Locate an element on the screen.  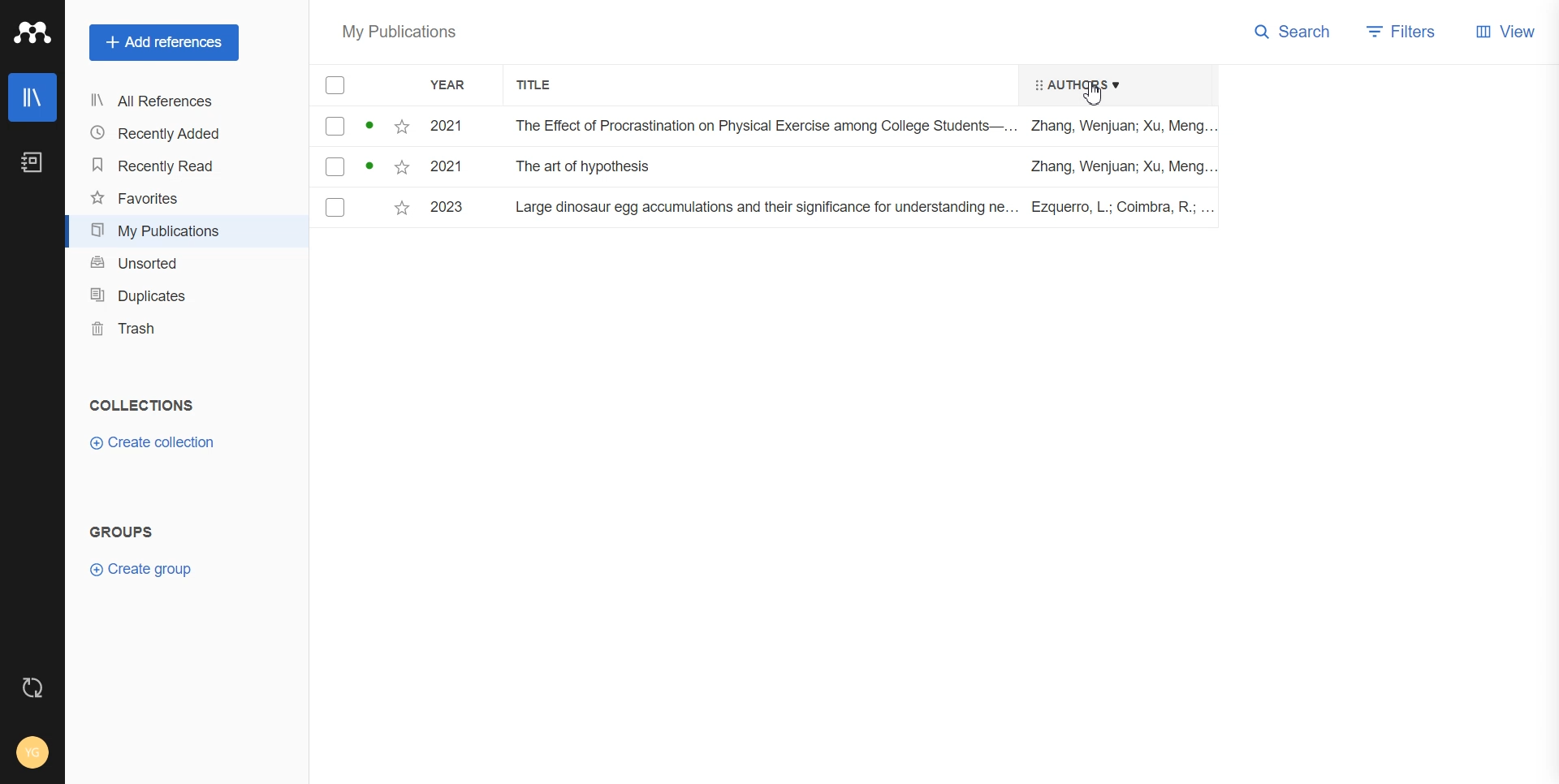
Duplicates is located at coordinates (184, 296).